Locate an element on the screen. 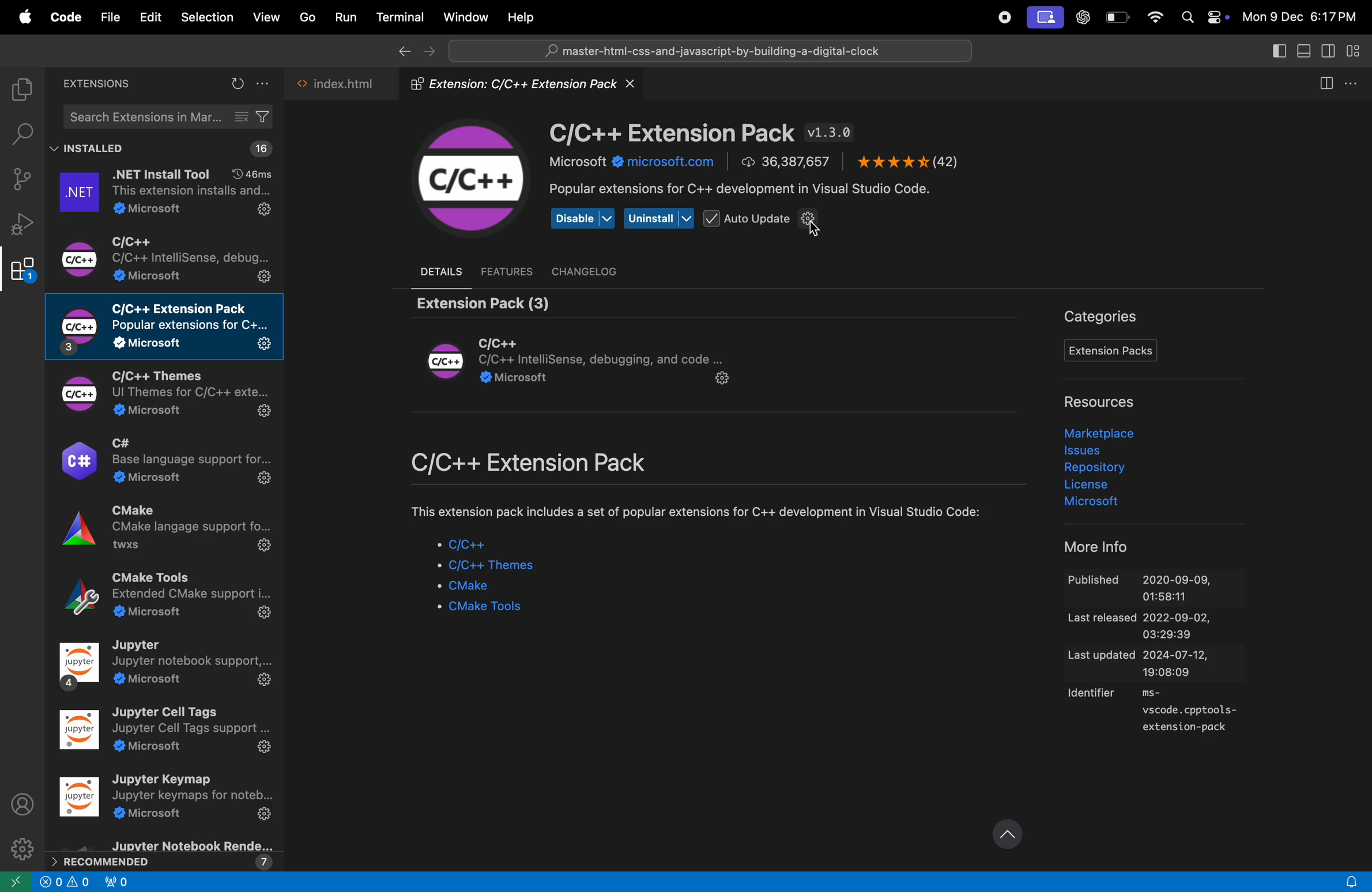 This screenshot has height=892, width=1372. View is located at coordinates (268, 17).